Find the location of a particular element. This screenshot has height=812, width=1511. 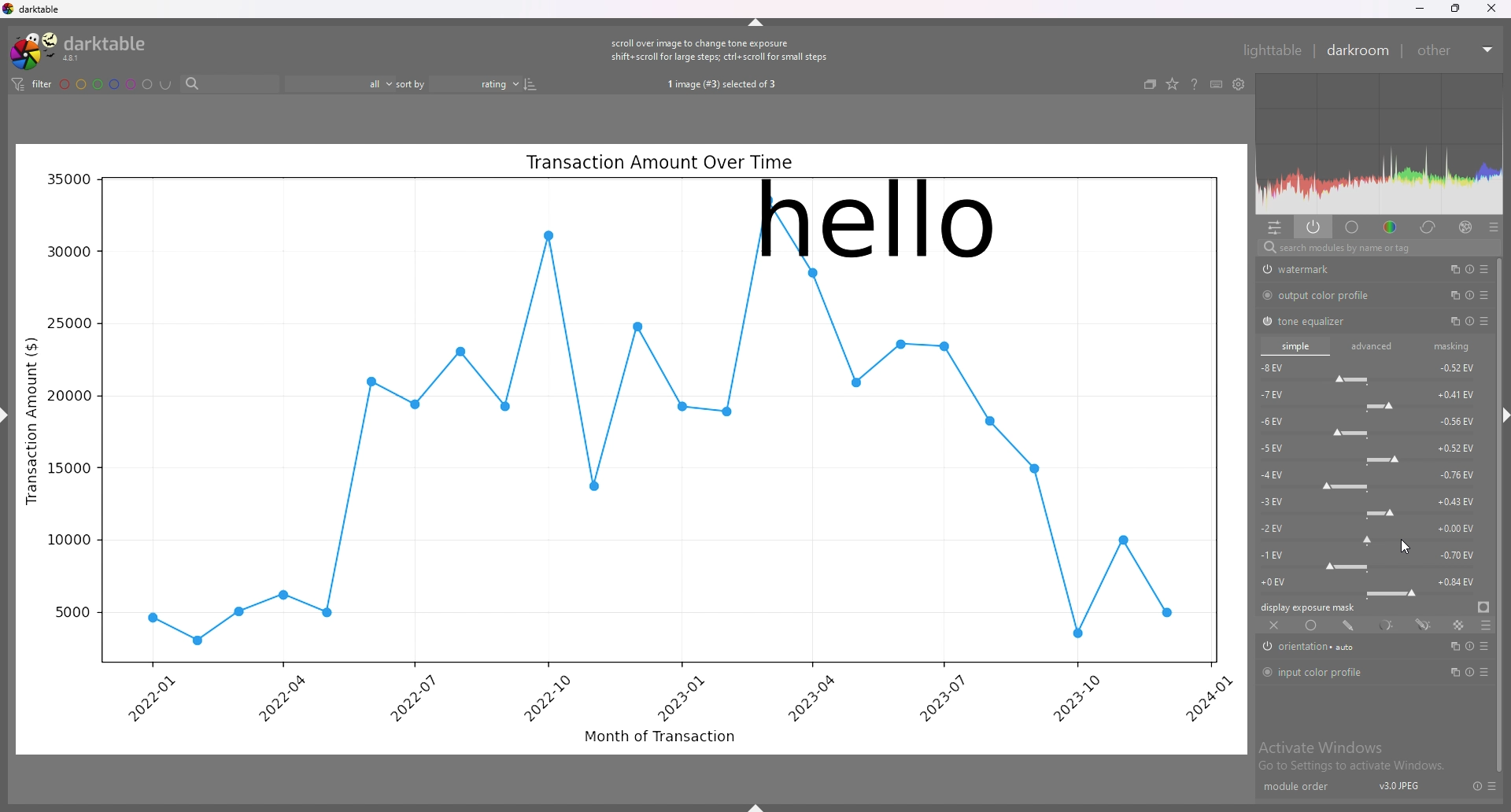

blending options is located at coordinates (1484, 625).